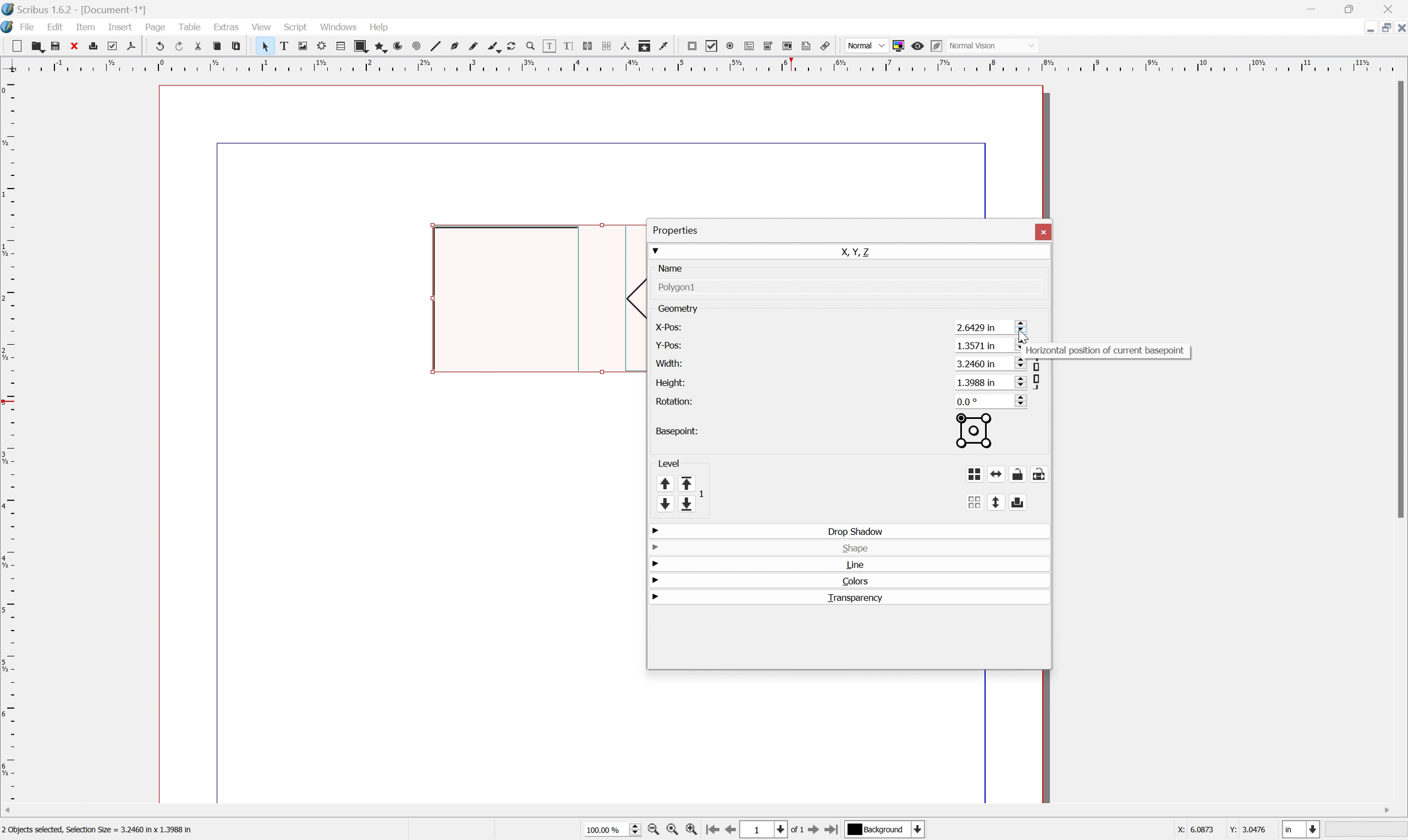 The height and width of the screenshot is (840, 1408). I want to click on basepoint, so click(979, 431).